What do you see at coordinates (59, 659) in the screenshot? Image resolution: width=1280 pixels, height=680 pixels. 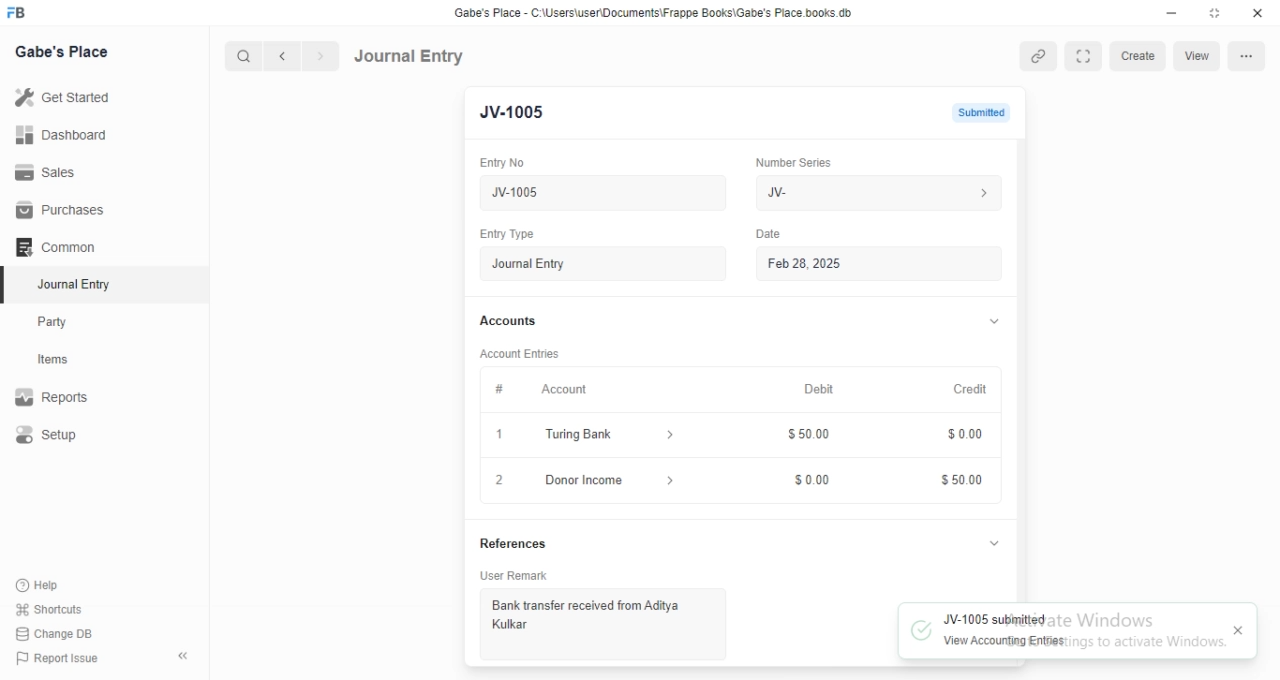 I see `) Report Issue` at bounding box center [59, 659].